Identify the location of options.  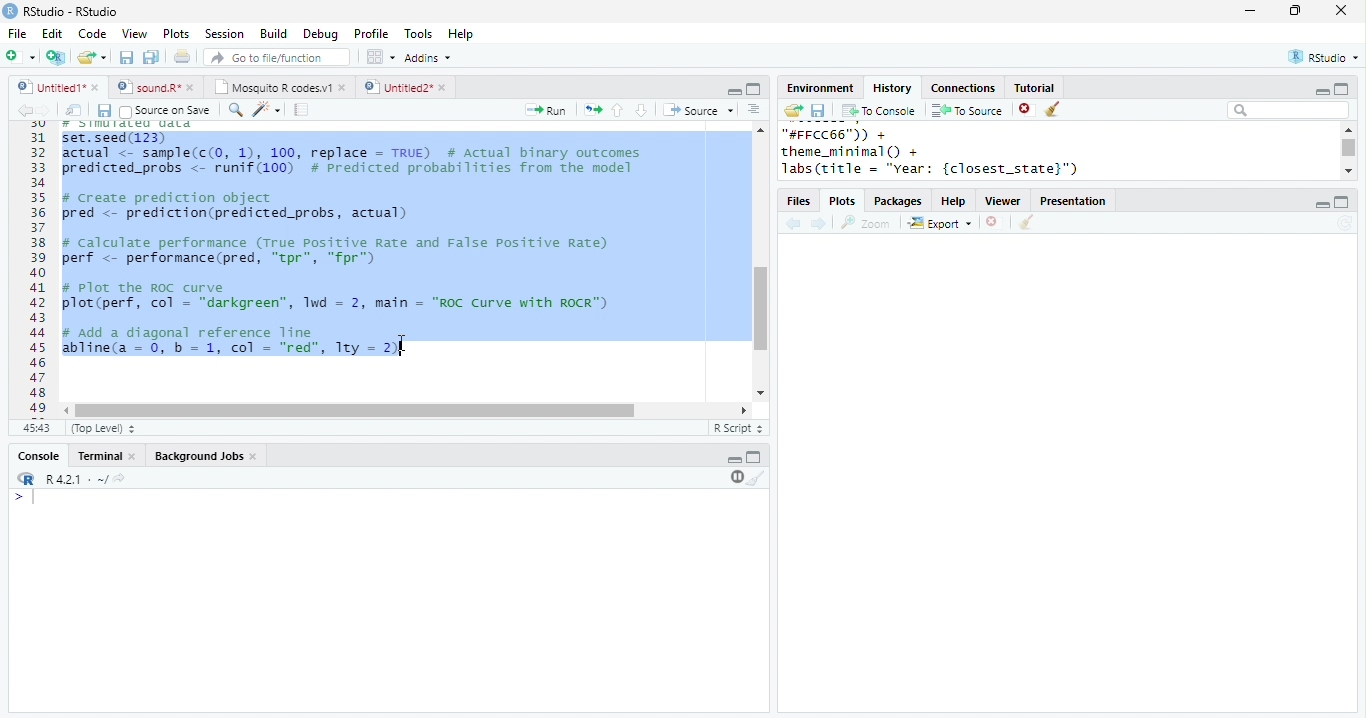
(379, 57).